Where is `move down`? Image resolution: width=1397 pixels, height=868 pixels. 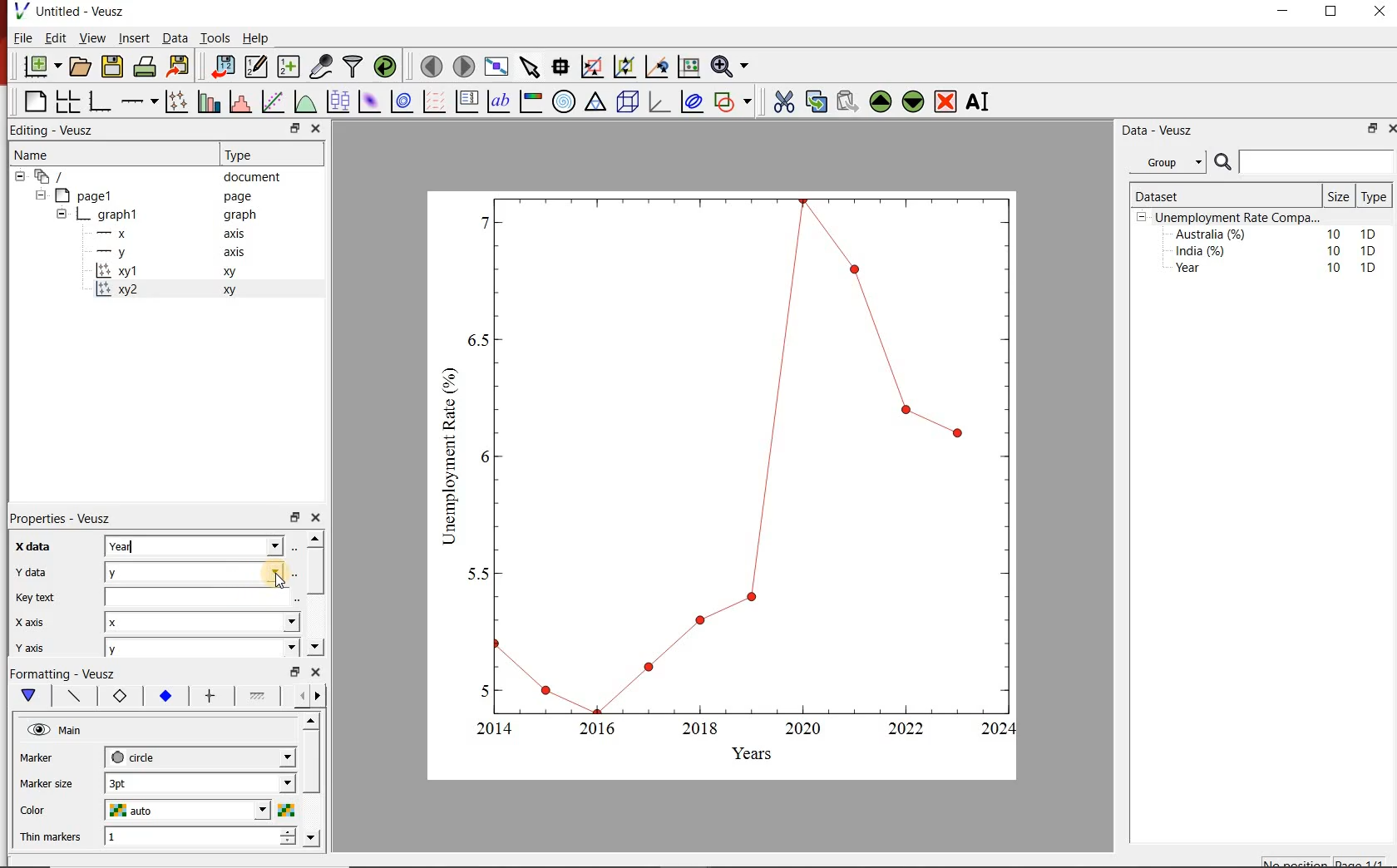
move down is located at coordinates (311, 838).